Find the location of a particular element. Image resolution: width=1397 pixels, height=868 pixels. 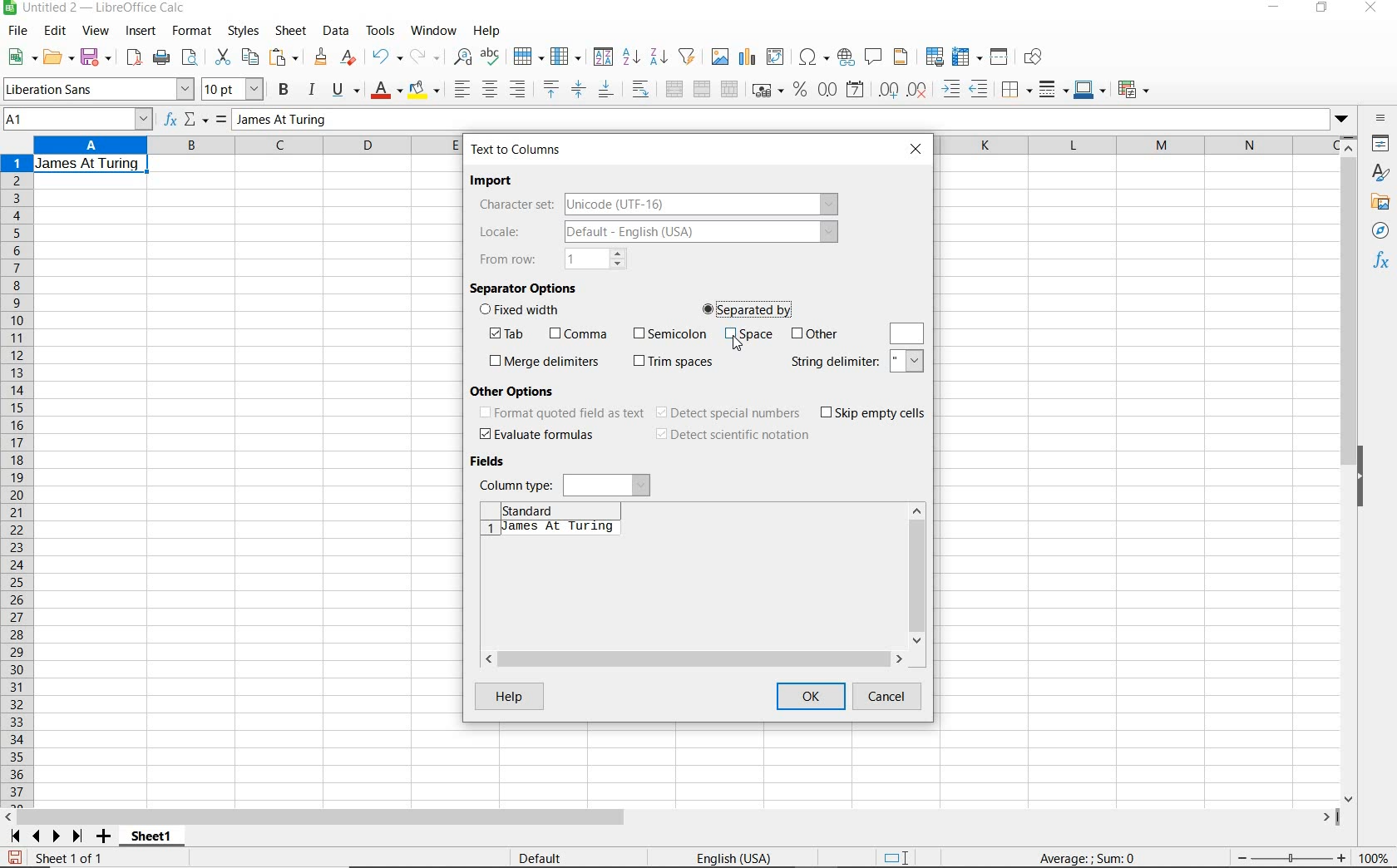

wrap text is located at coordinates (640, 91).